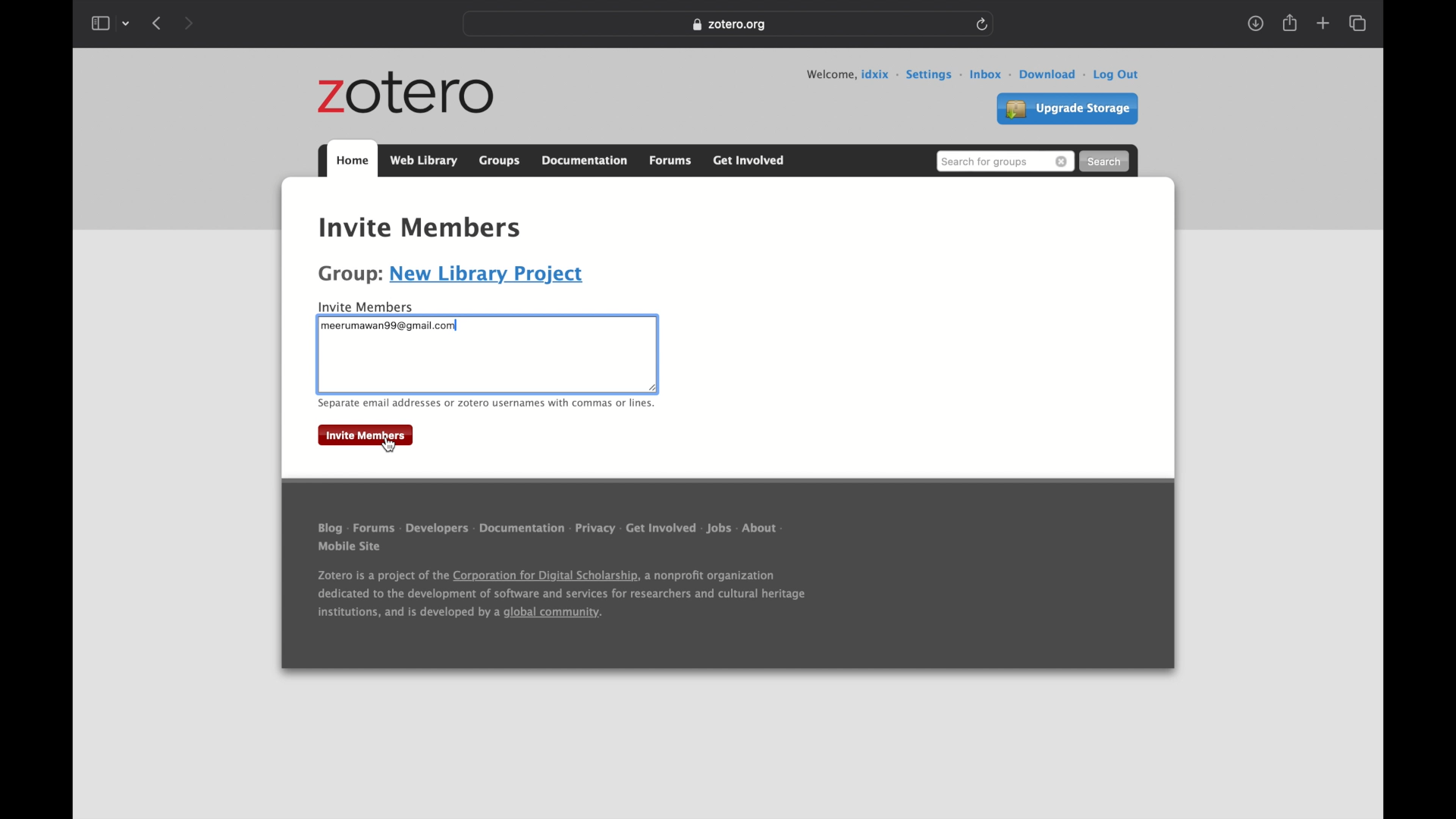  Describe the element at coordinates (365, 435) in the screenshot. I see `invite members` at that location.